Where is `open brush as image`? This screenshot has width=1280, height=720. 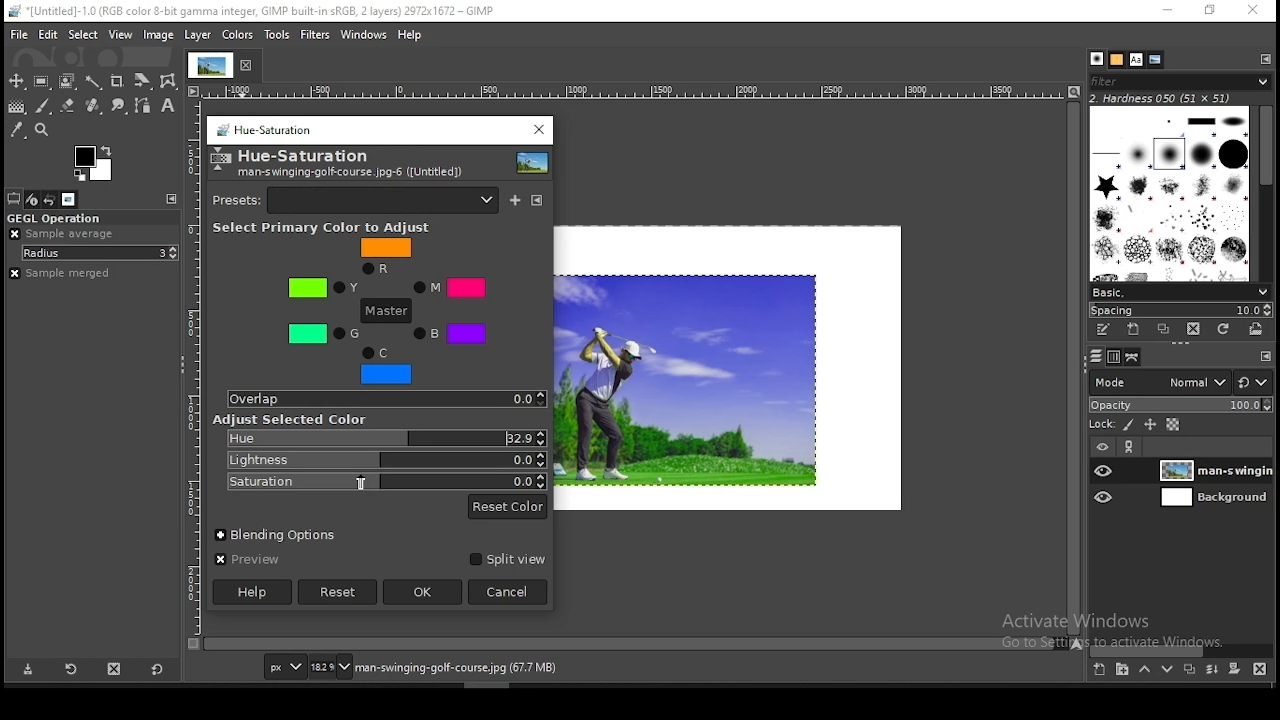 open brush as image is located at coordinates (1256, 329).